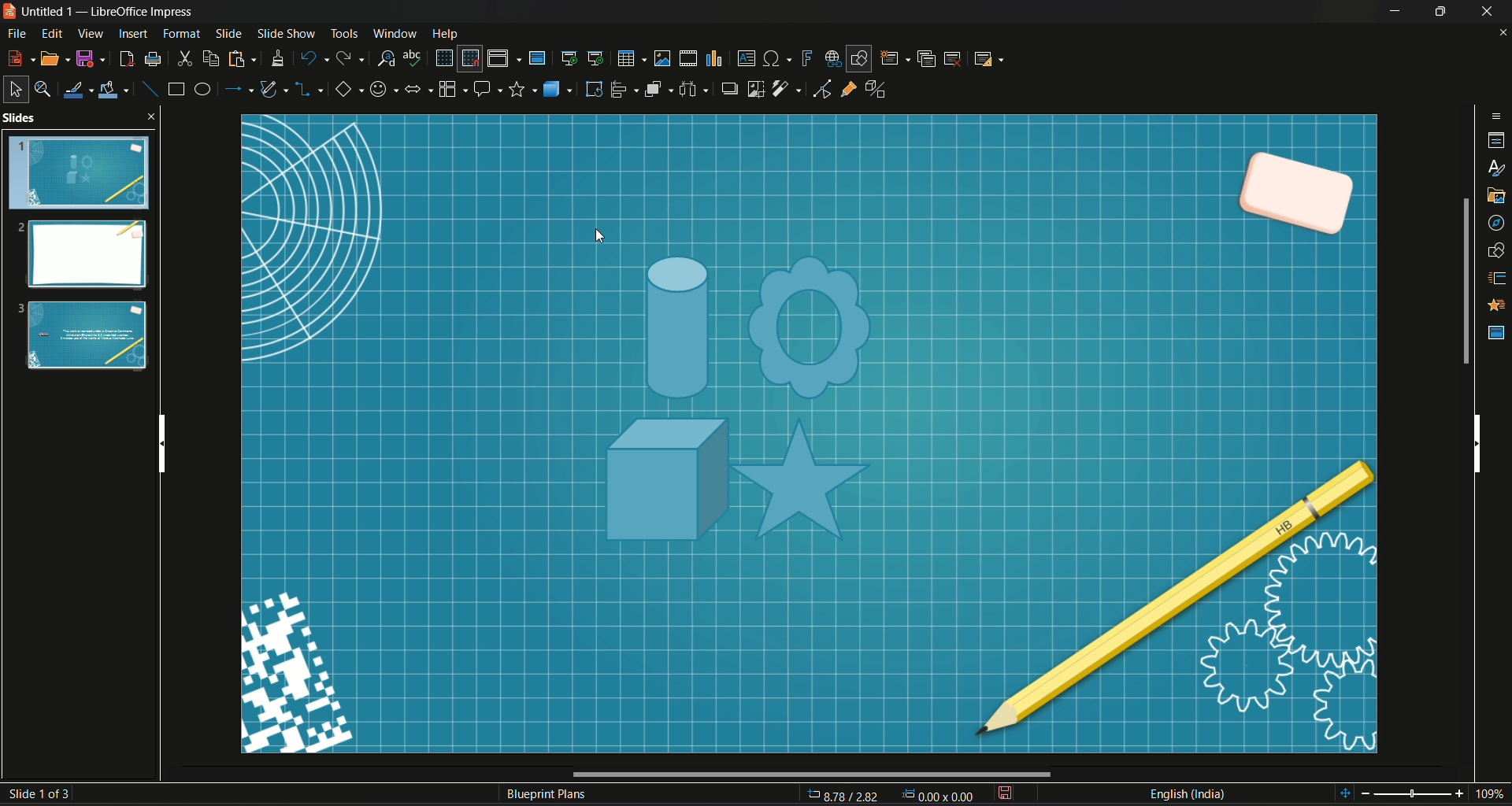 The width and height of the screenshot is (1512, 806). I want to click on insert, so click(132, 34).